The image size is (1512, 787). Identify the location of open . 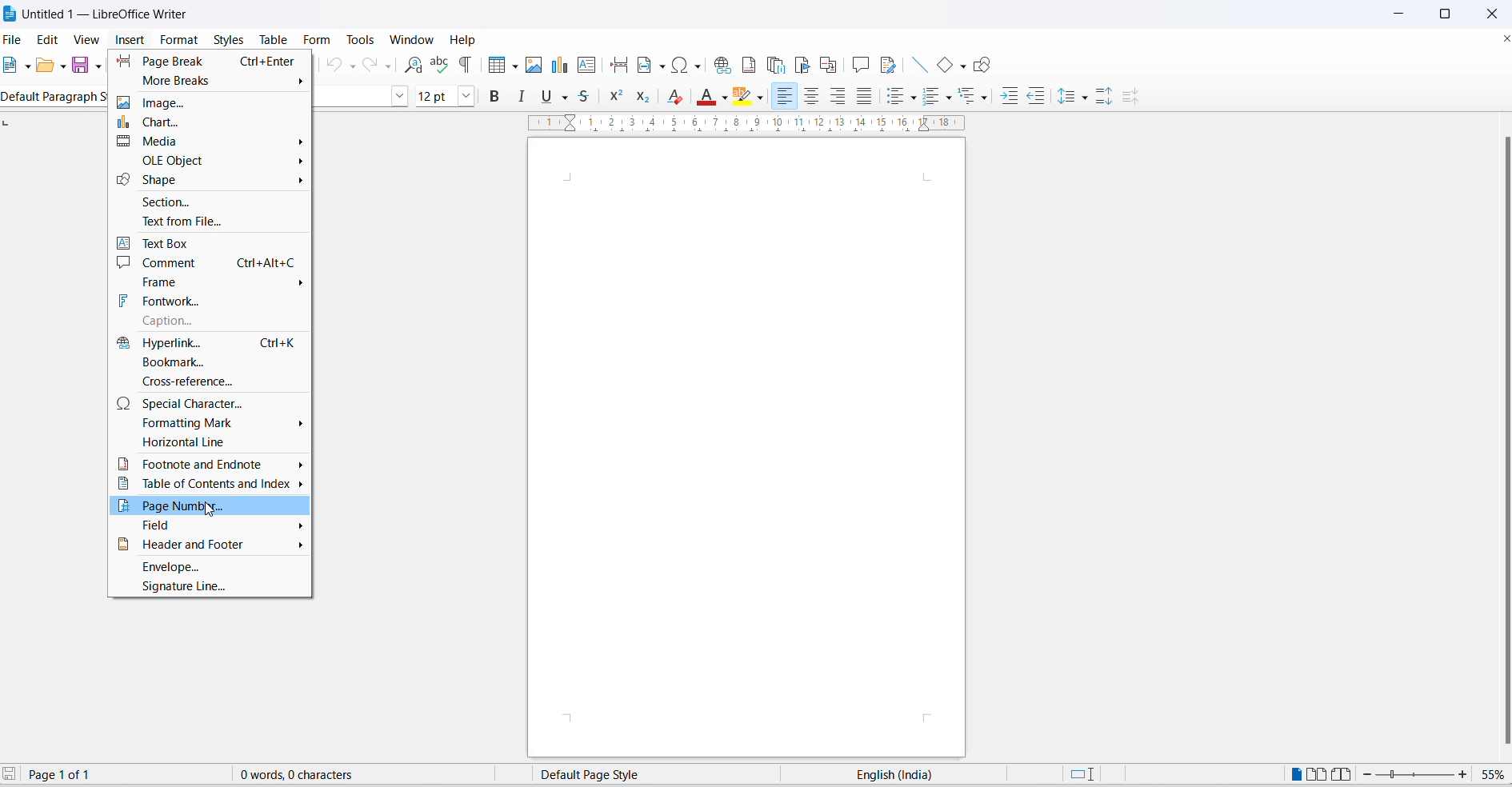
(44, 68).